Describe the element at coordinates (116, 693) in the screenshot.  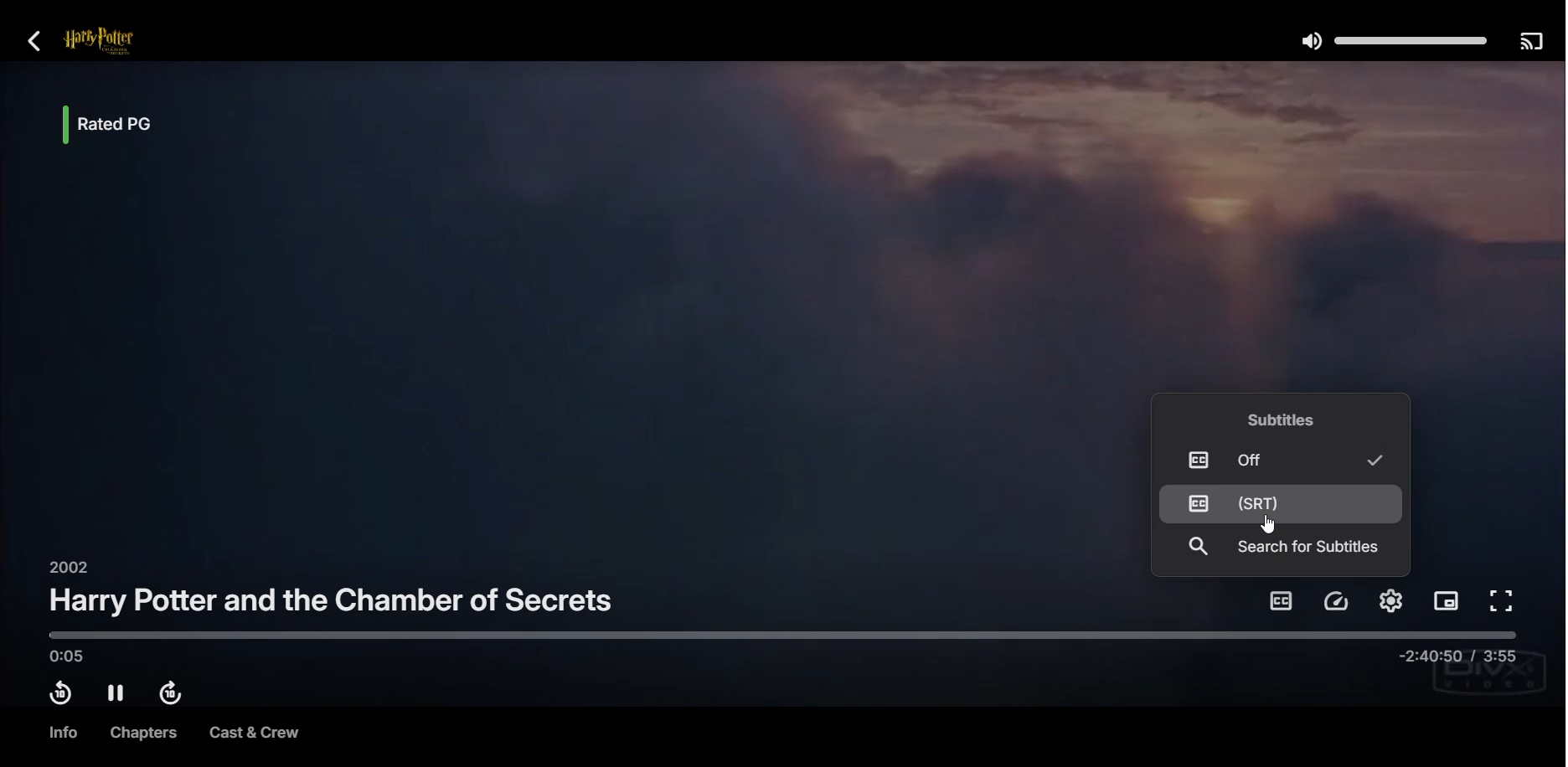
I see `Pause/Play` at that location.